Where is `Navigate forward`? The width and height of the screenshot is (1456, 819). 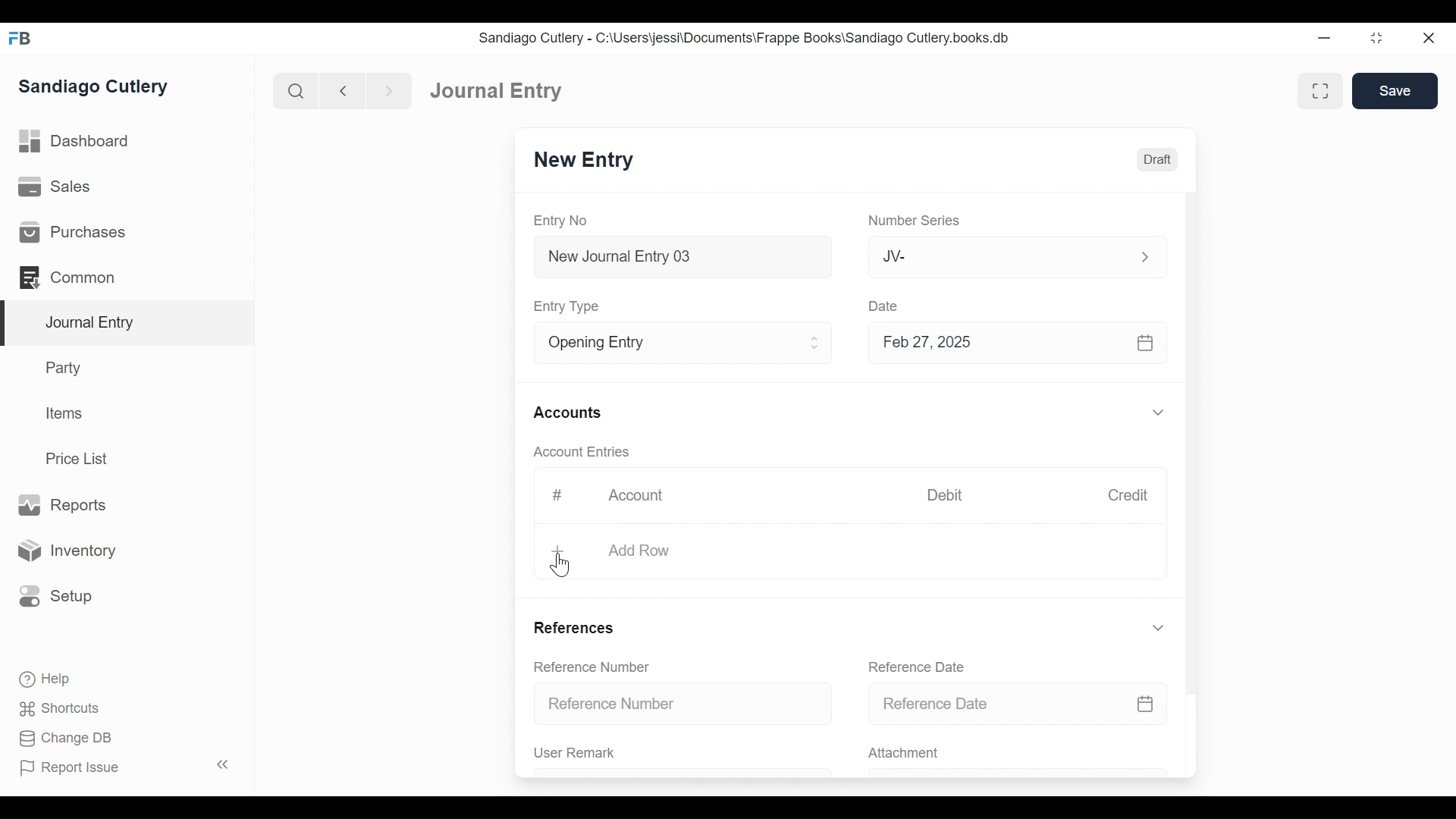 Navigate forward is located at coordinates (388, 91).